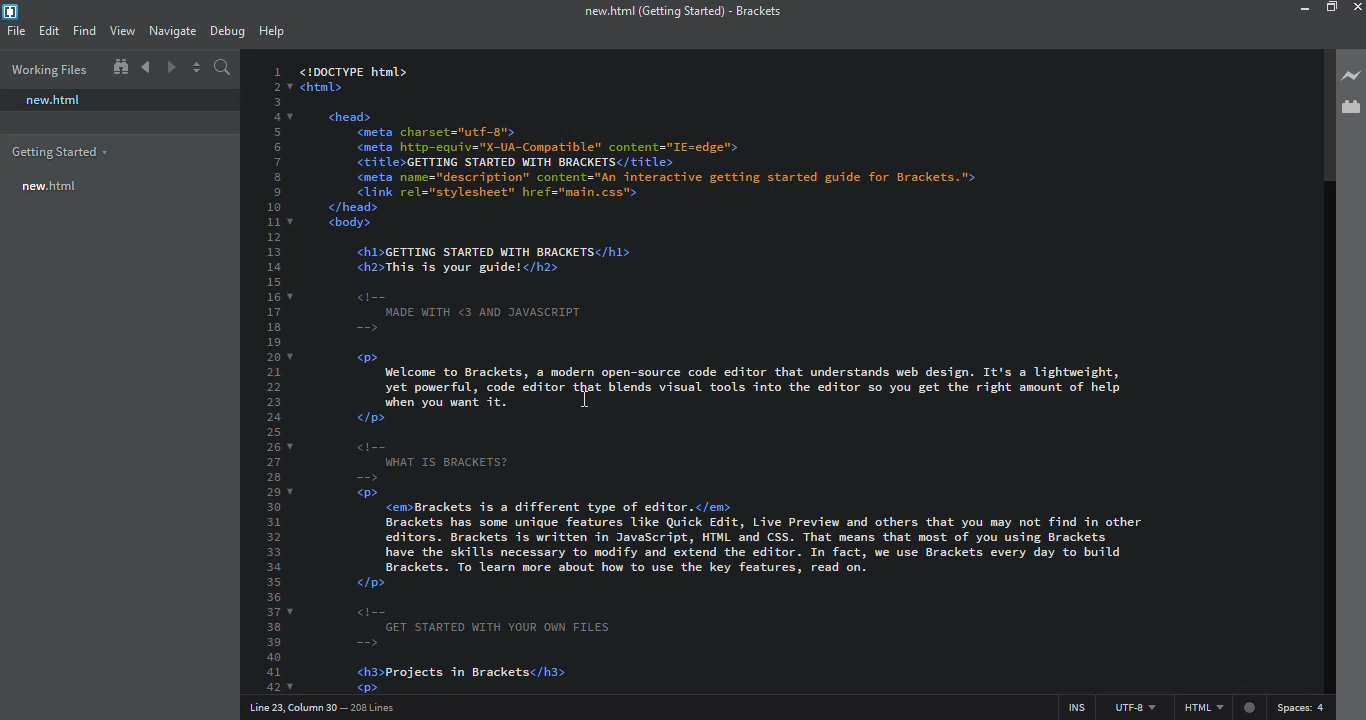  I want to click on new, so click(52, 188).